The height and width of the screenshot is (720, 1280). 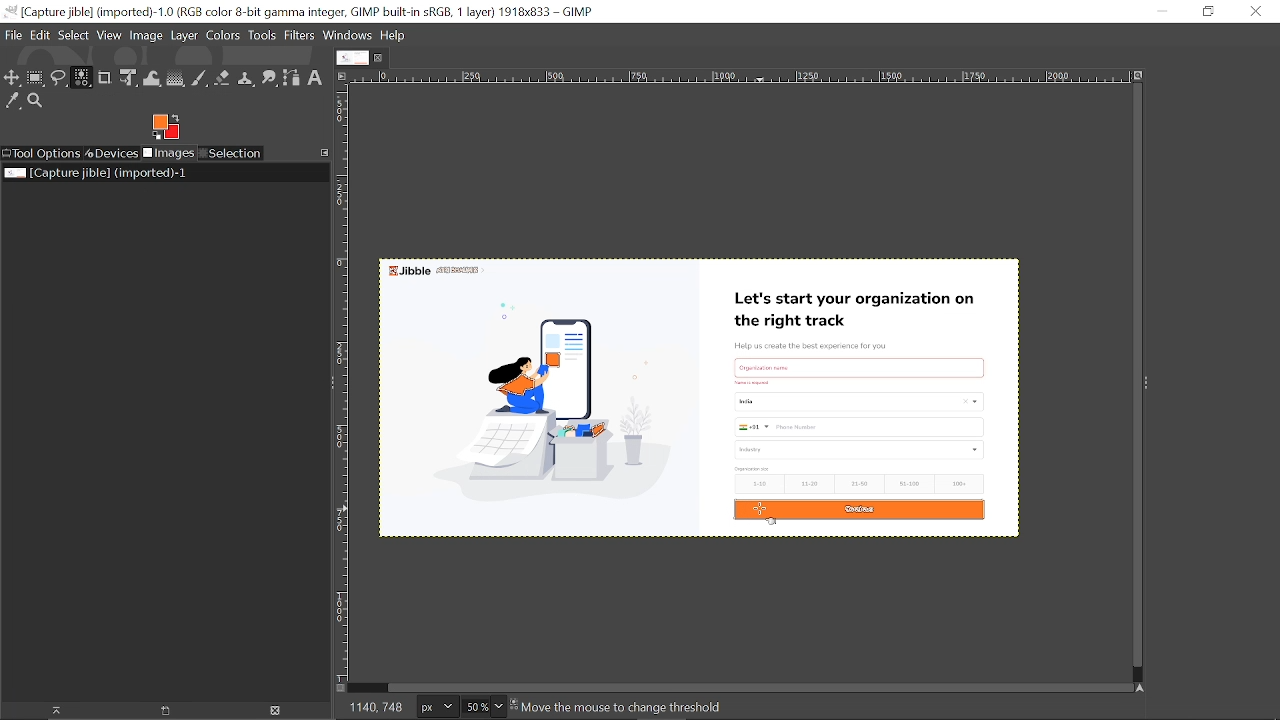 I want to click on Smudge tool, so click(x=269, y=78).